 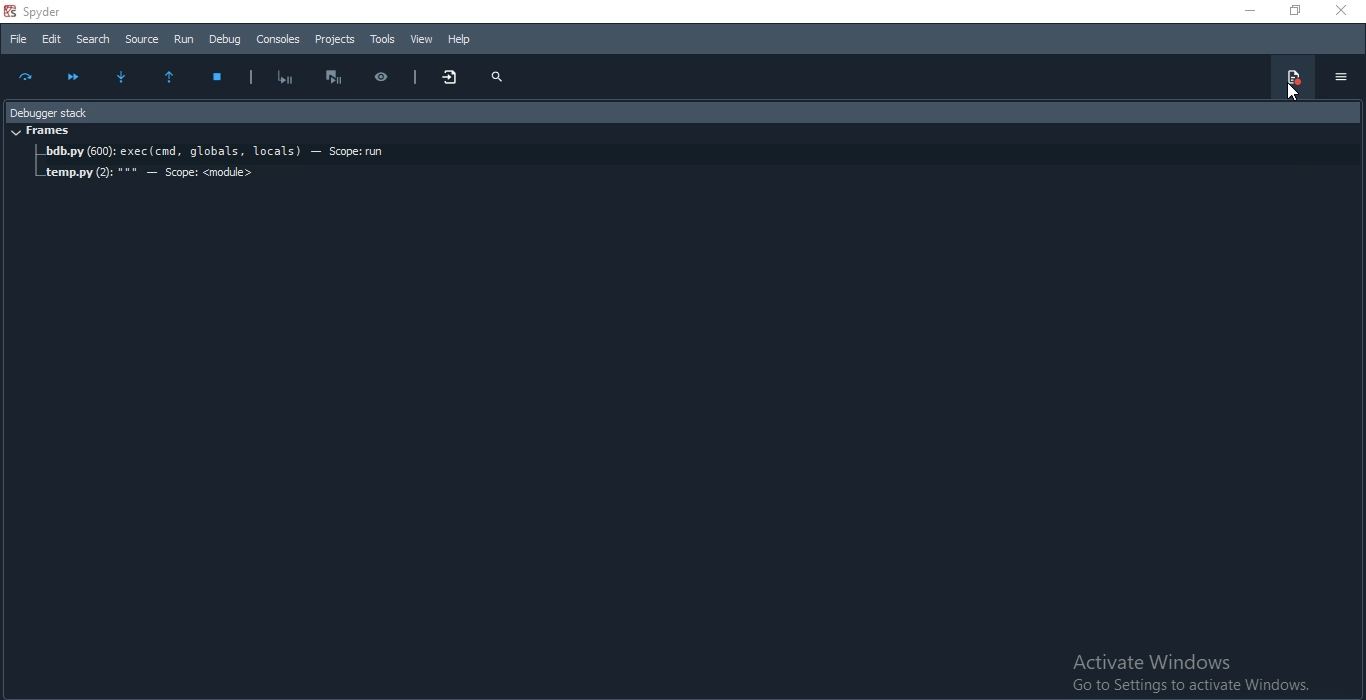 What do you see at coordinates (222, 78) in the screenshot?
I see `Stop debugging` at bounding box center [222, 78].